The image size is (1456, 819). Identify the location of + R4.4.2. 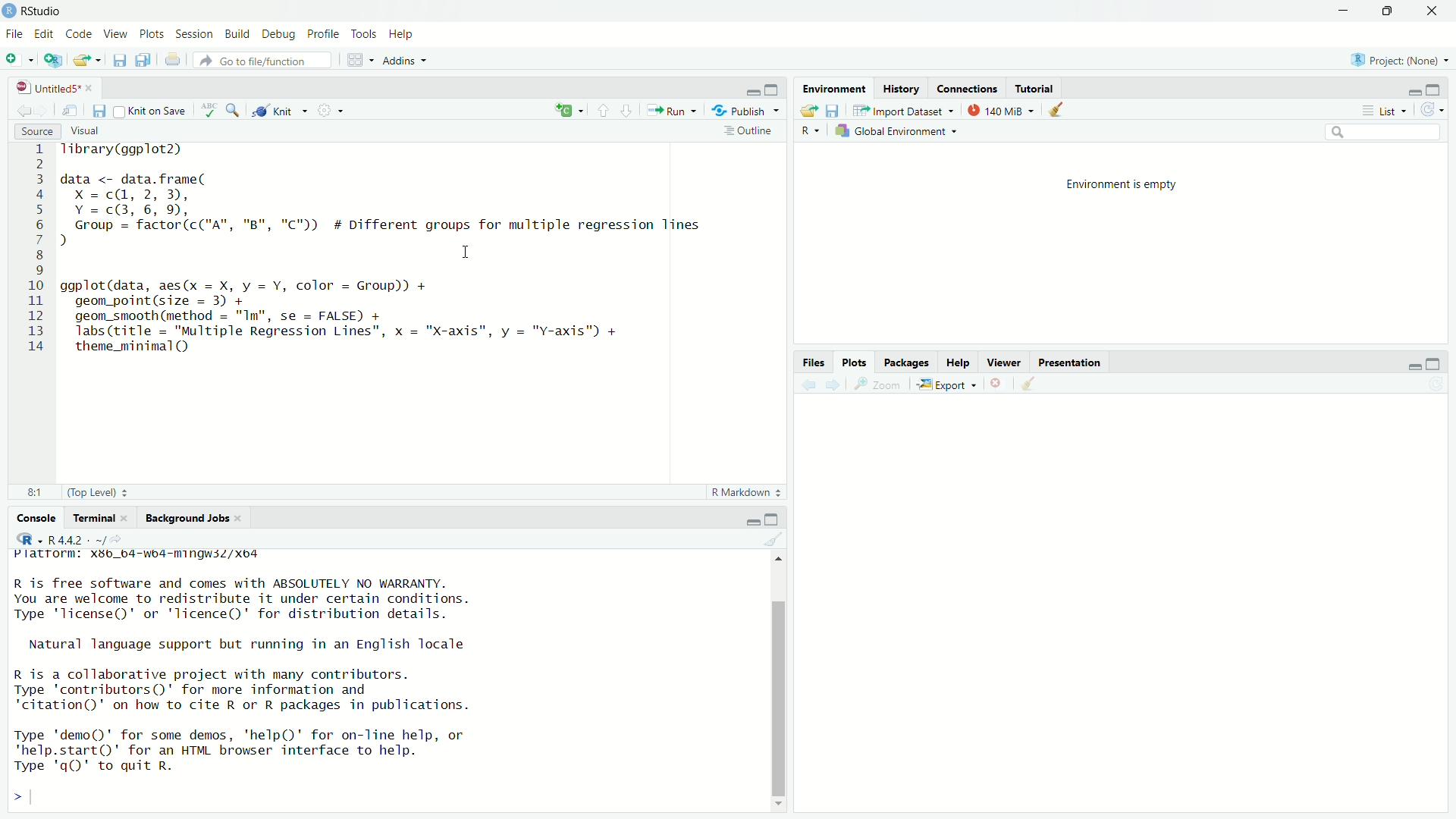
(65, 539).